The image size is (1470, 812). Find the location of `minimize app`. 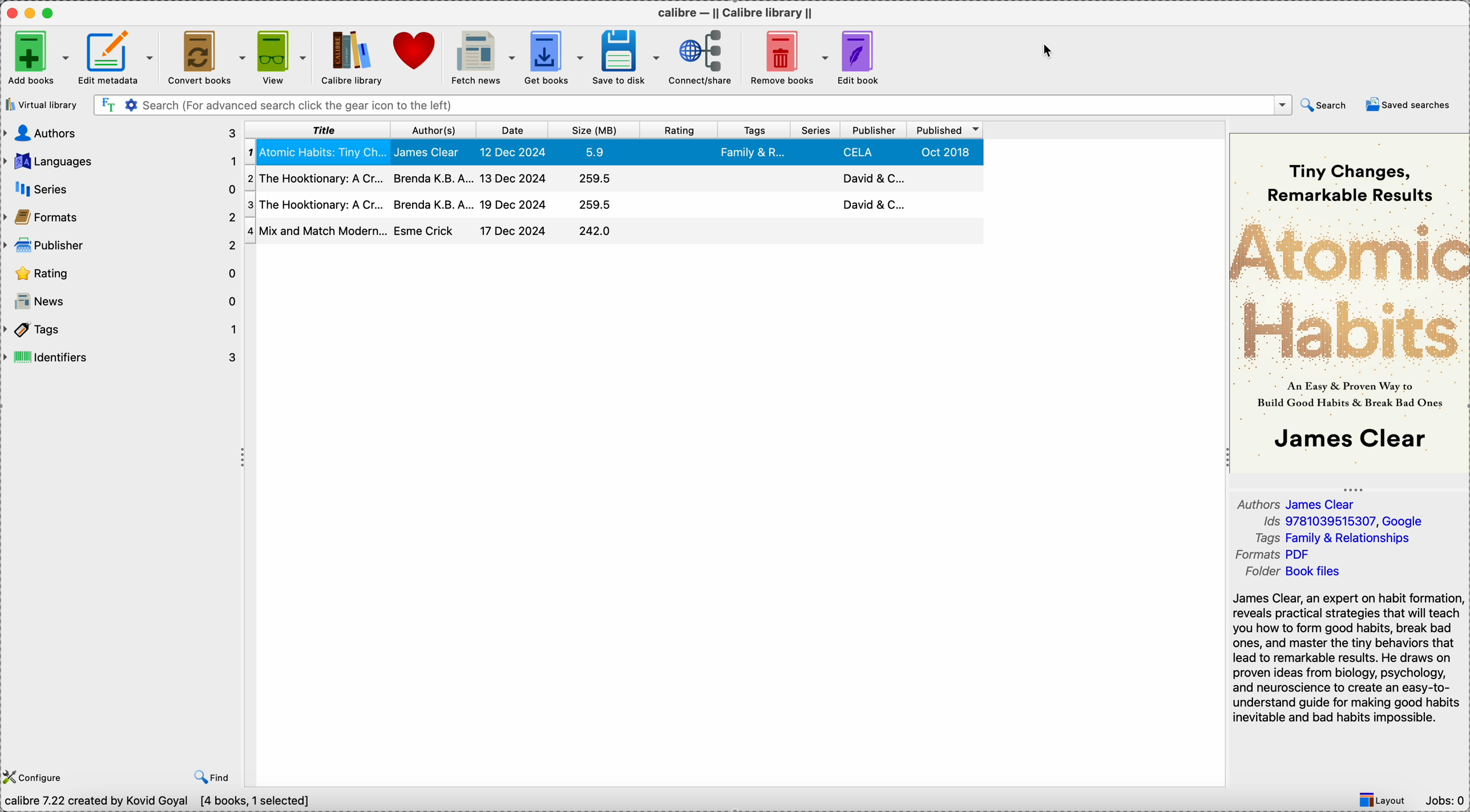

minimize app is located at coordinates (30, 11).